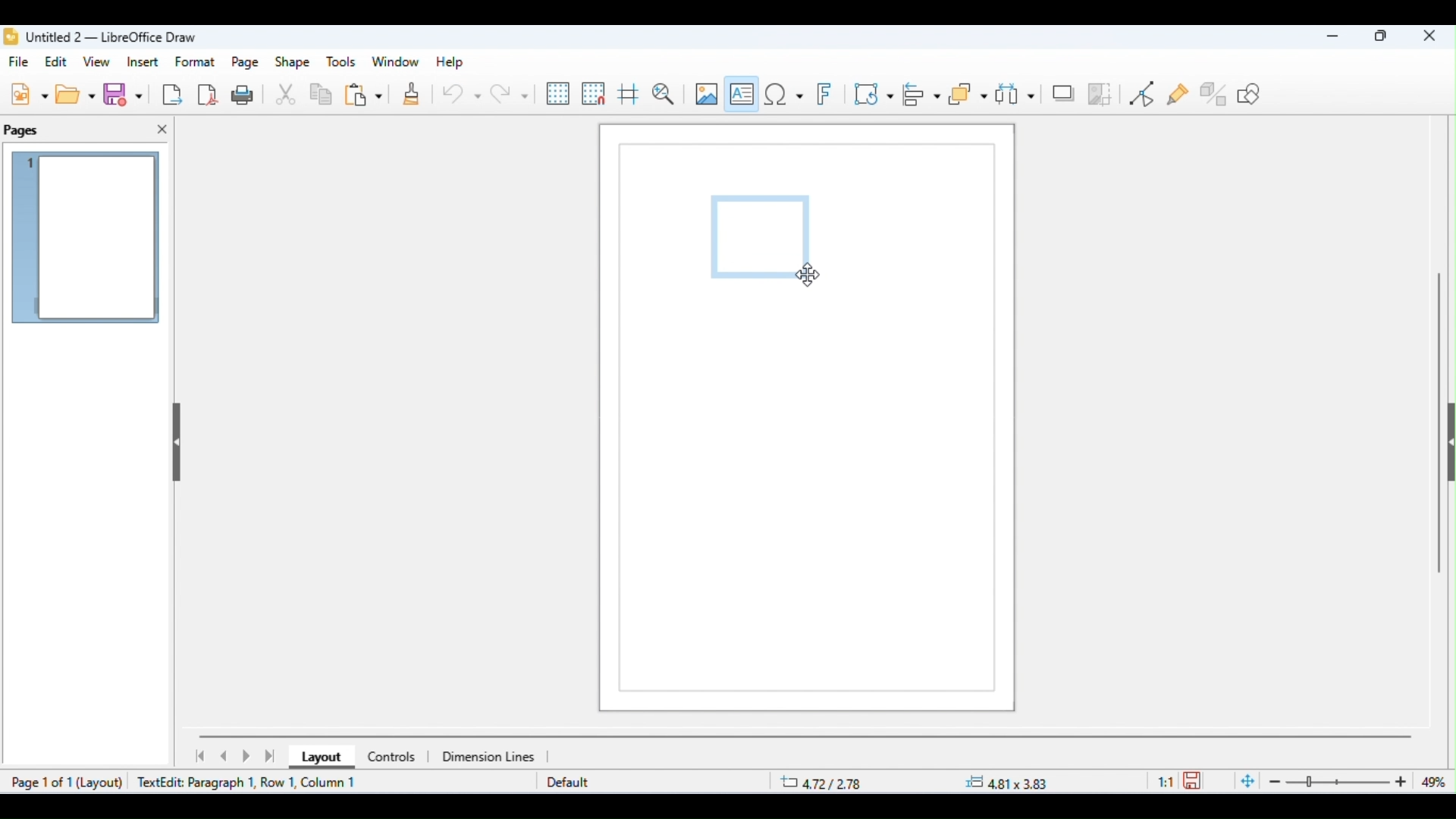  I want to click on close, so click(1429, 37).